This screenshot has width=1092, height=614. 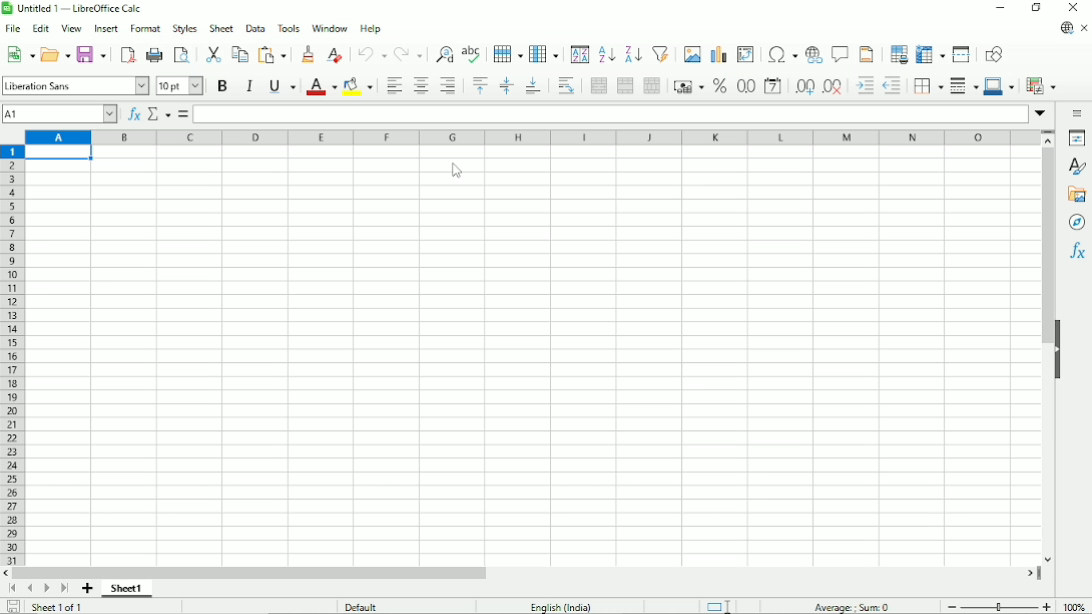 I want to click on Function wizard, so click(x=133, y=114).